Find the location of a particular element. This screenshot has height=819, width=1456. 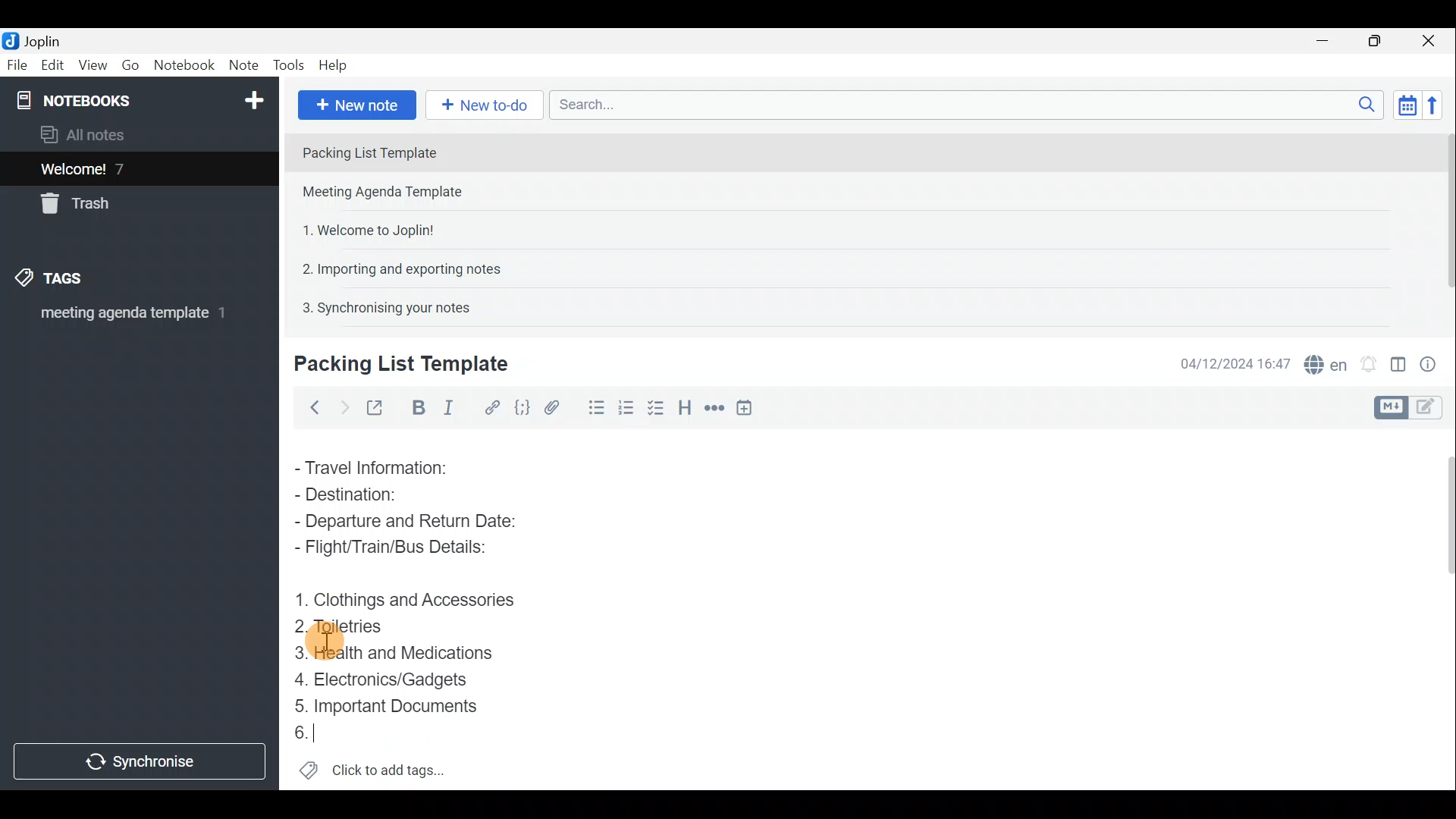

meeting agenda template is located at coordinates (130, 318).